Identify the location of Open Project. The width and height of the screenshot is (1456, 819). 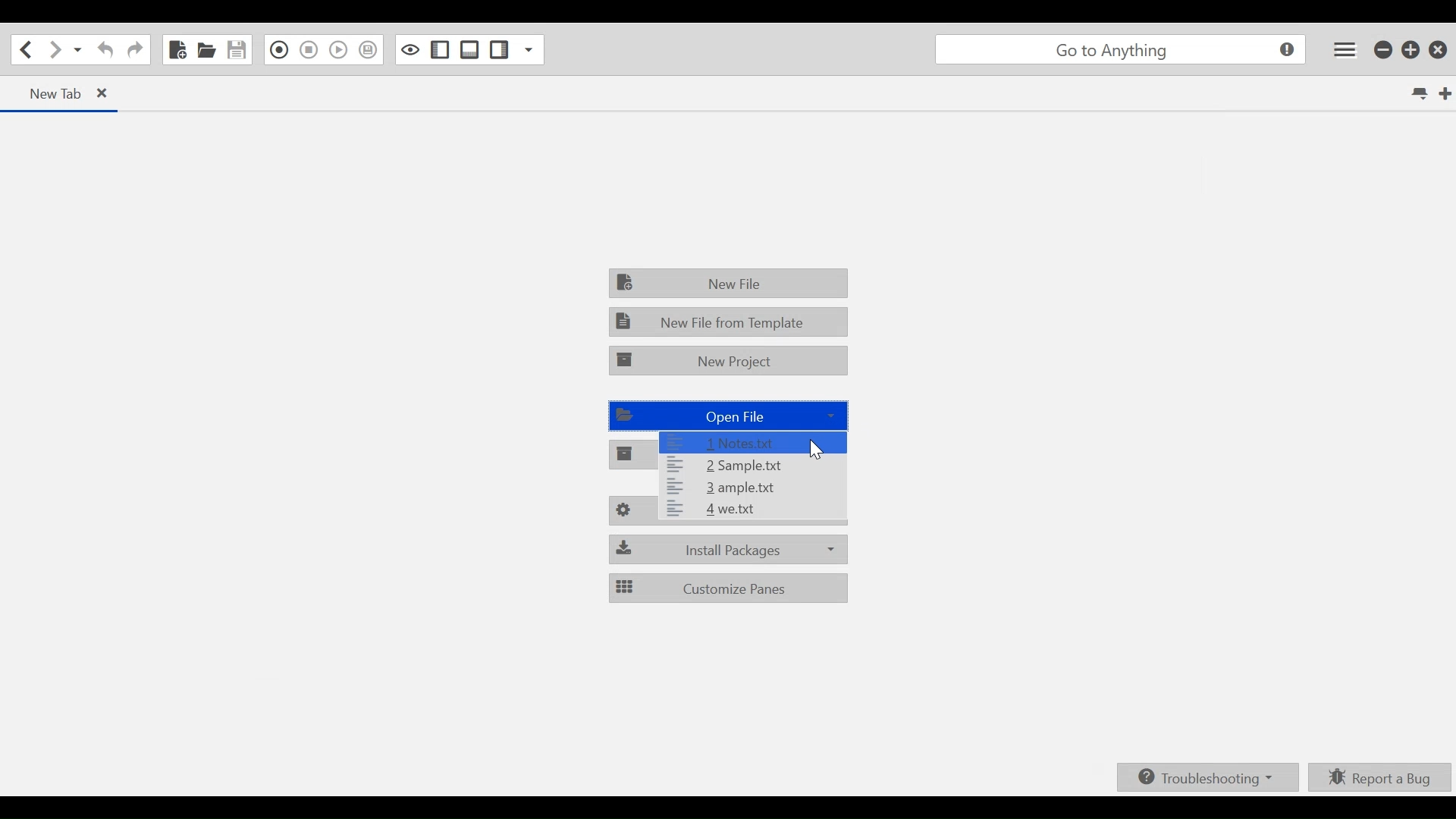
(630, 453).